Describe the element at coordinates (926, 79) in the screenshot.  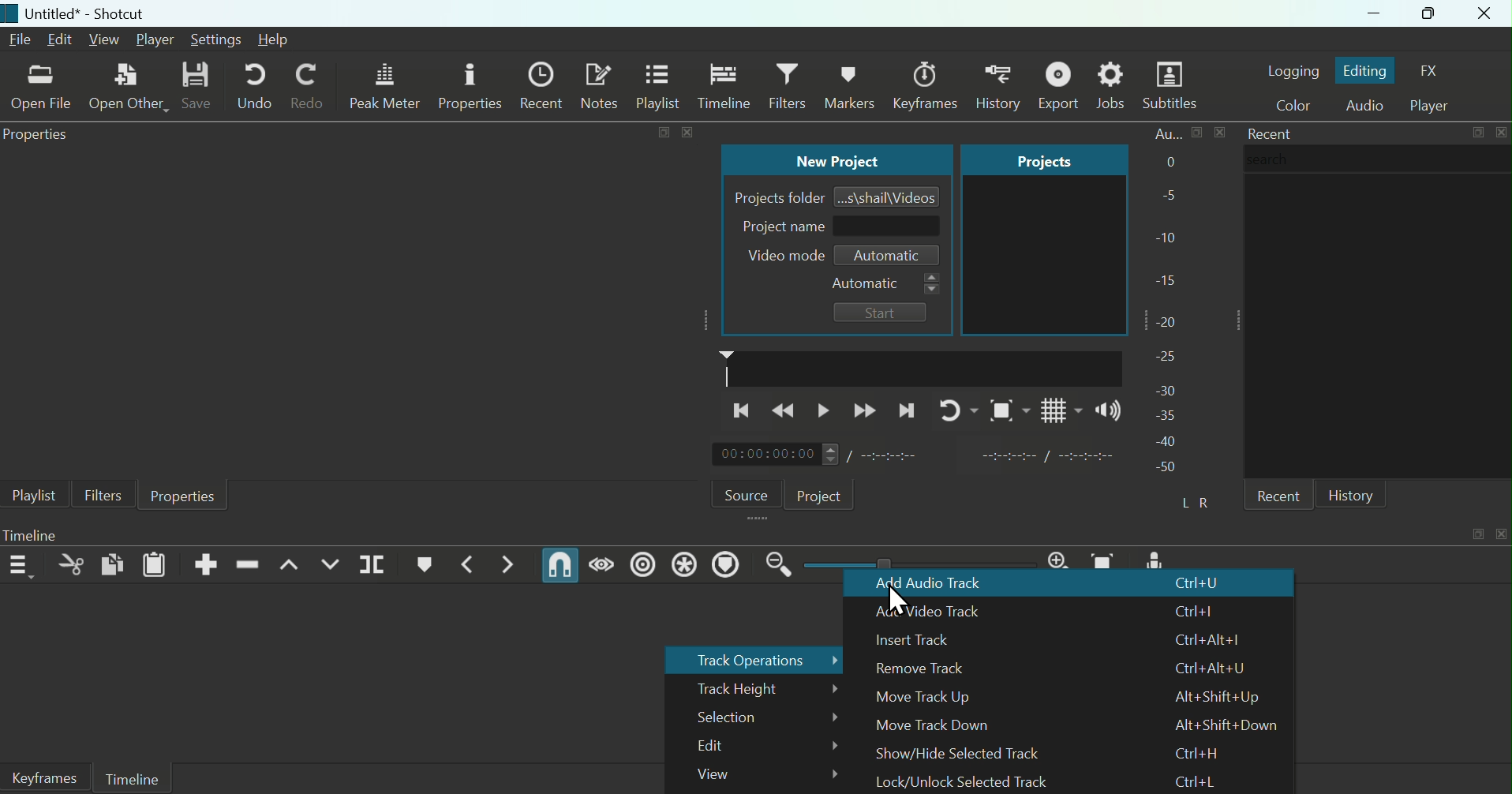
I see `Markers` at that location.